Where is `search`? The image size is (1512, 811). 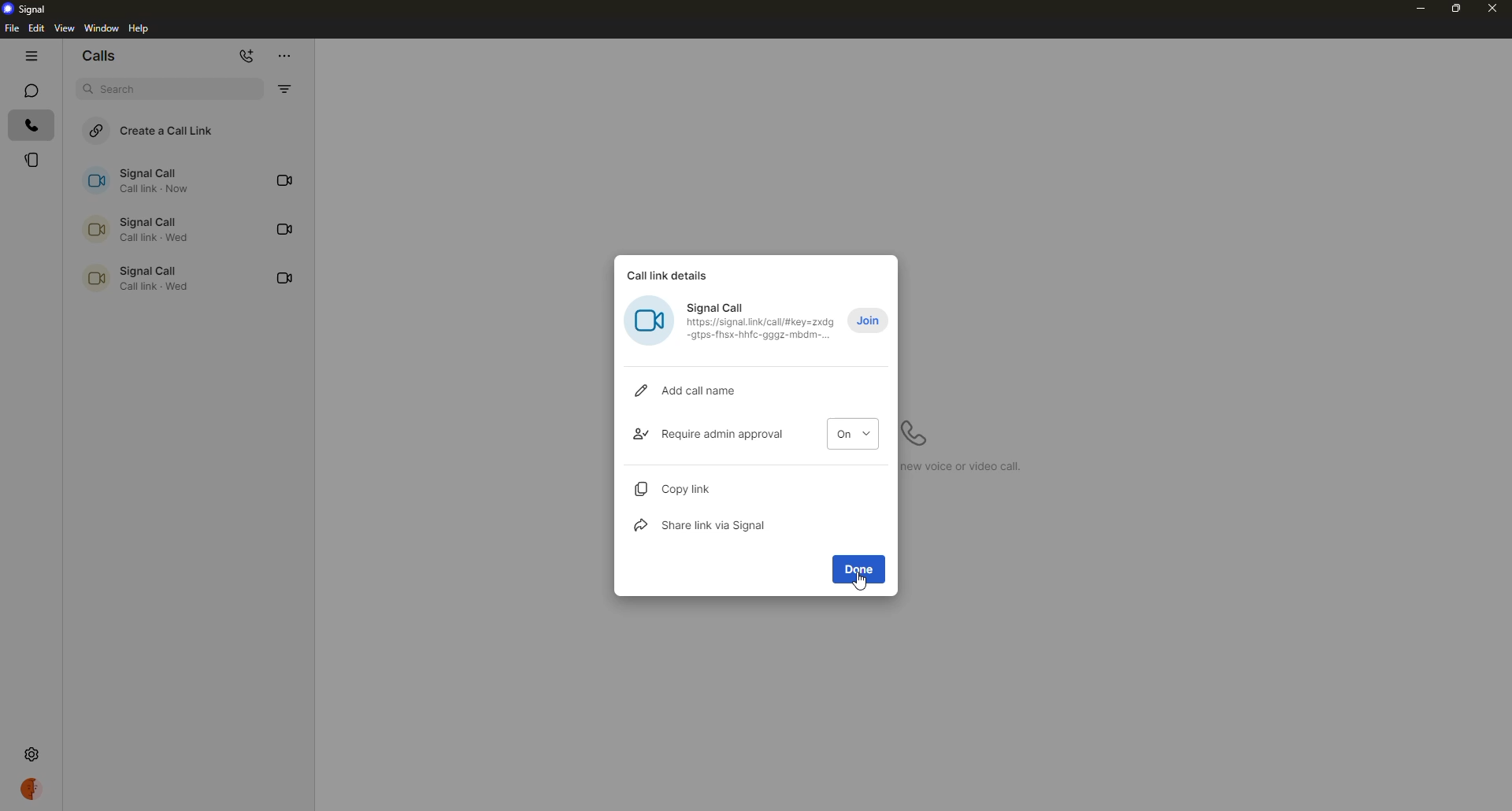
search is located at coordinates (167, 90).